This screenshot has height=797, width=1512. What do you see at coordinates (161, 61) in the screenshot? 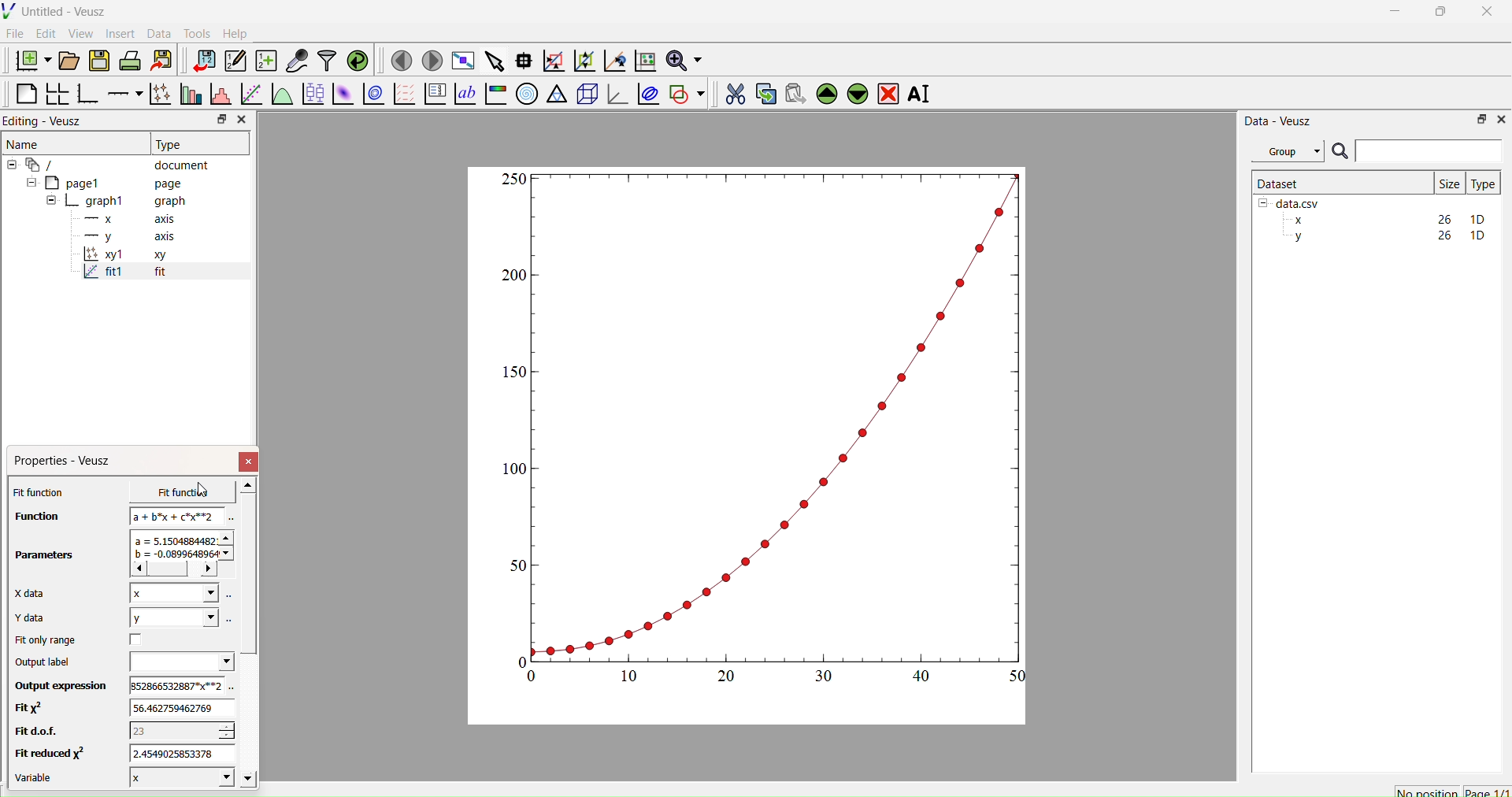
I see `Export to graphics format` at bounding box center [161, 61].